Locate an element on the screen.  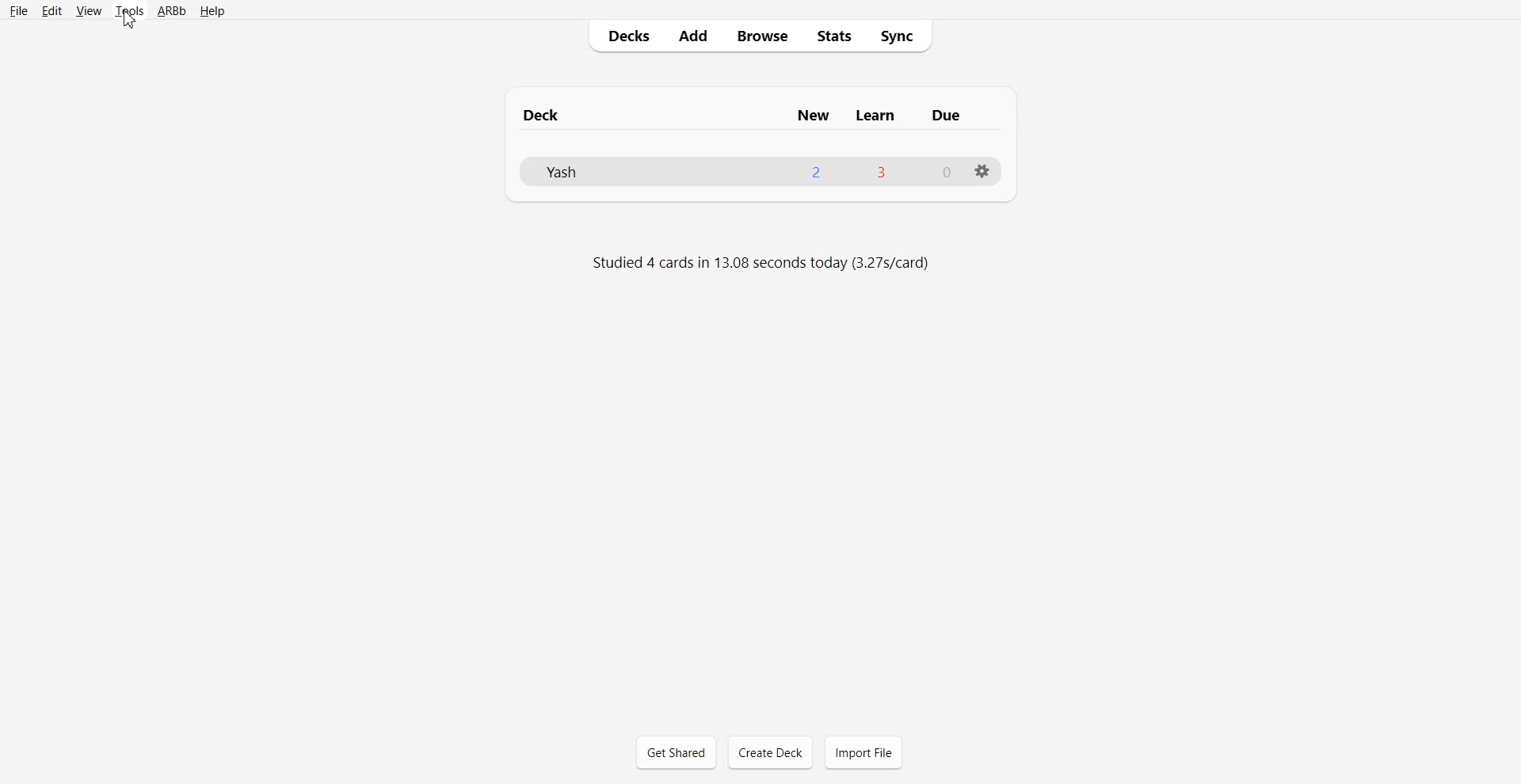
Deck New Learn Due is located at coordinates (757, 111).